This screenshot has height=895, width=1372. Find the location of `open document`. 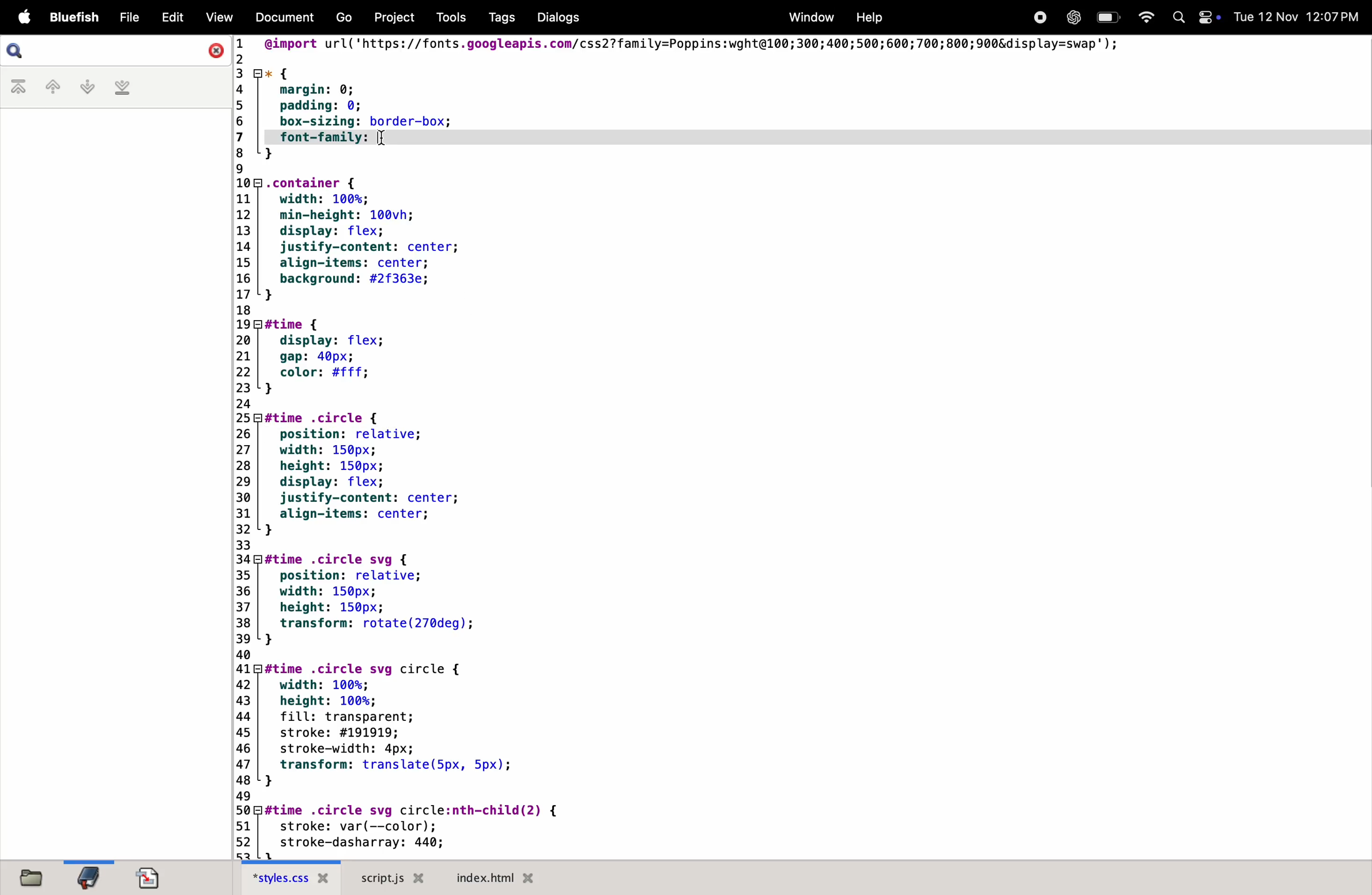

open document is located at coordinates (149, 875).